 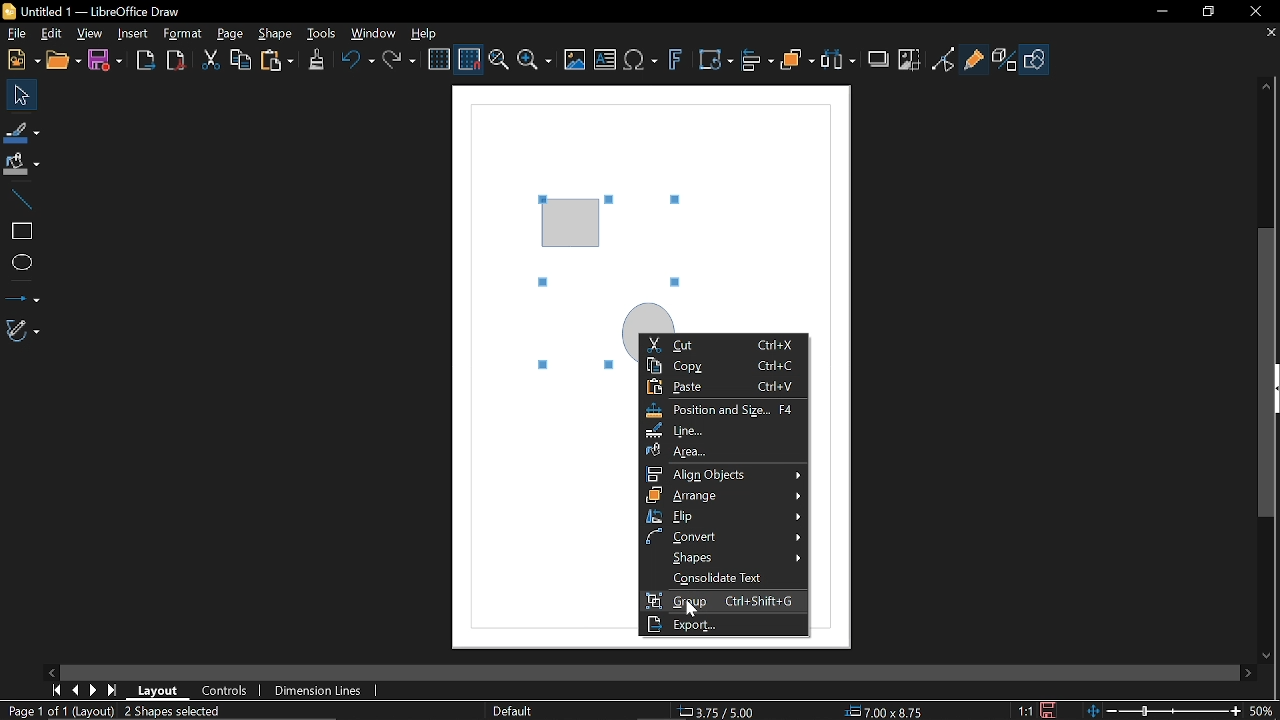 I want to click on Copy, so click(x=239, y=60).